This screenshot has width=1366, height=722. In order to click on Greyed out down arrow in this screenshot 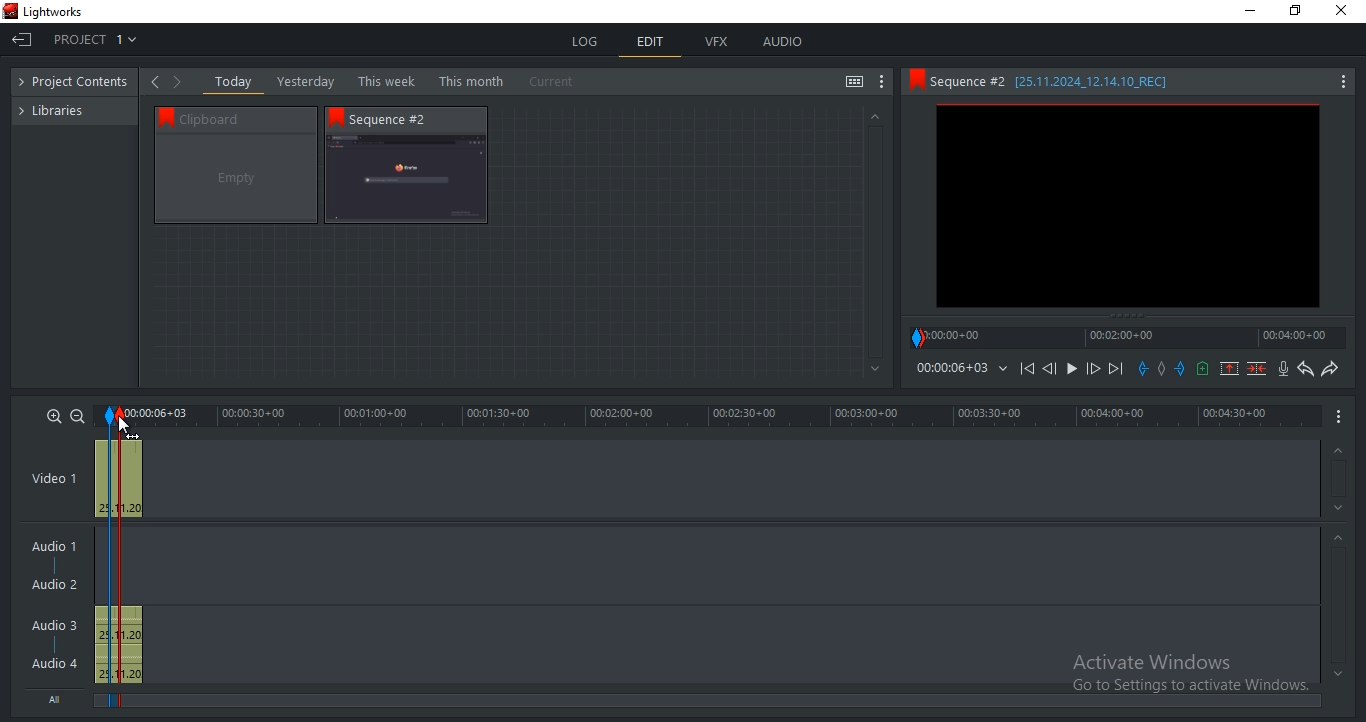, I will do `click(876, 370)`.